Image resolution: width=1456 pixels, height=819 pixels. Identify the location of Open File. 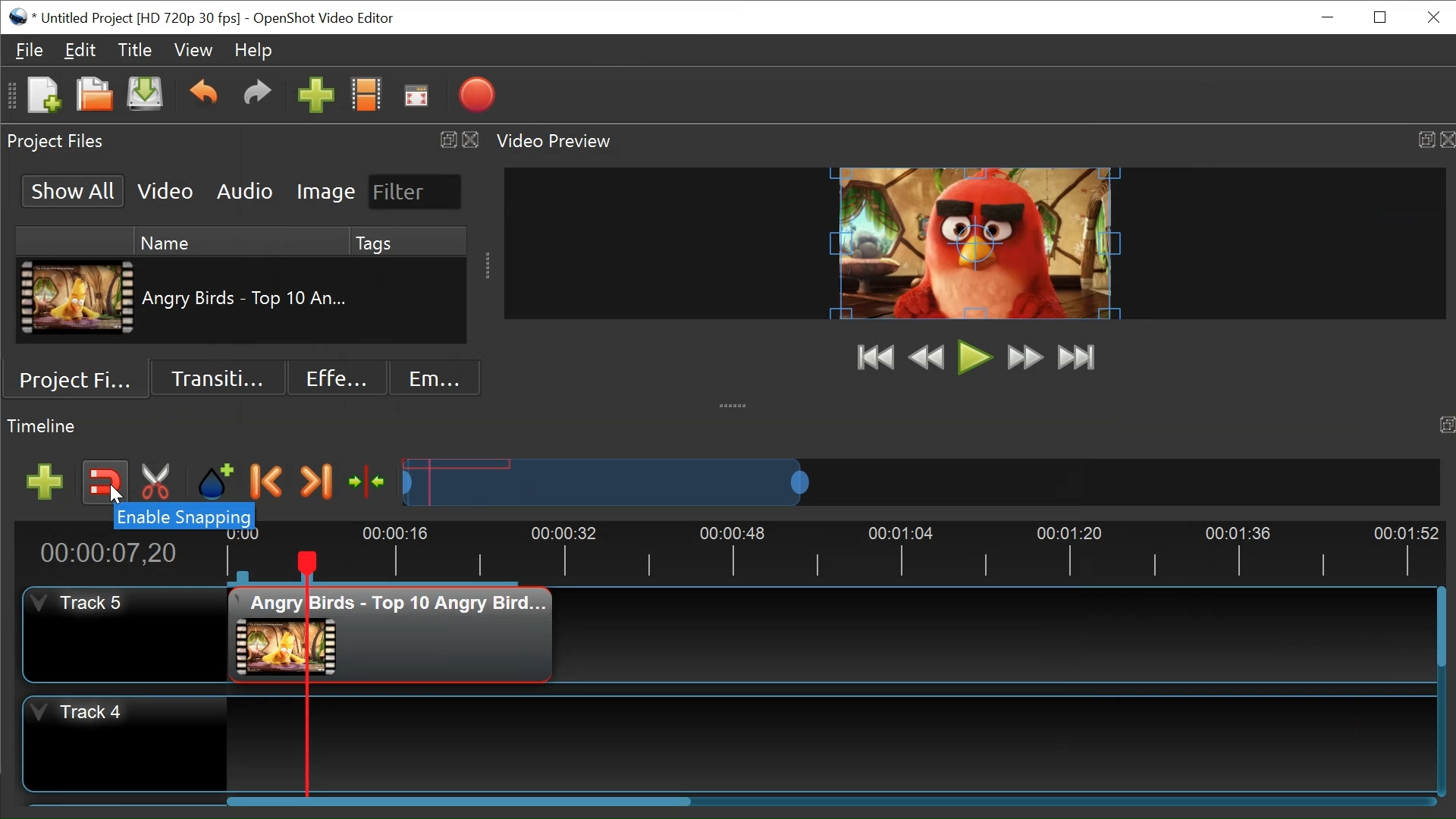
(93, 96).